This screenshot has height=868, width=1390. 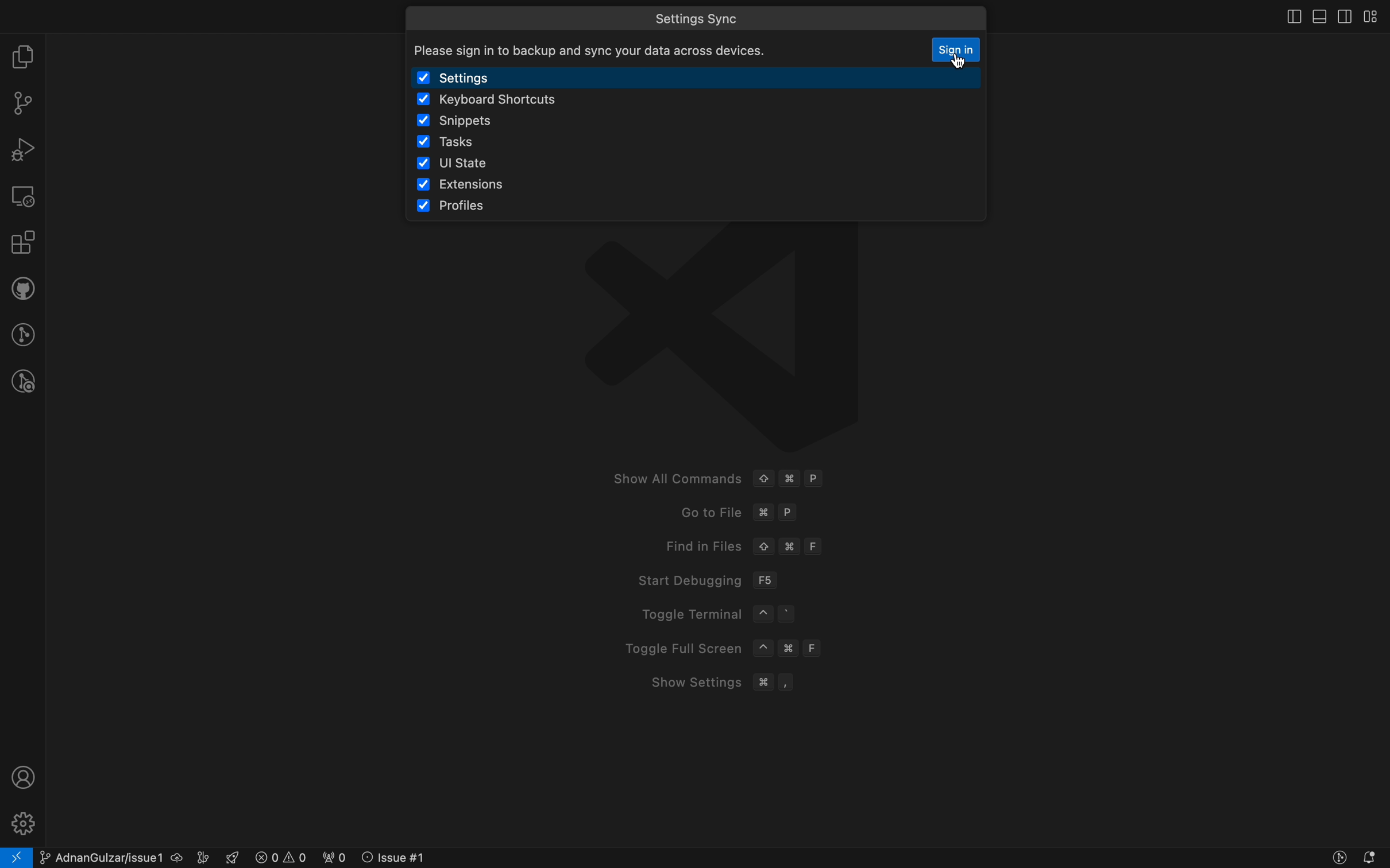 What do you see at coordinates (22, 332) in the screenshot?
I see `gitlens` at bounding box center [22, 332].